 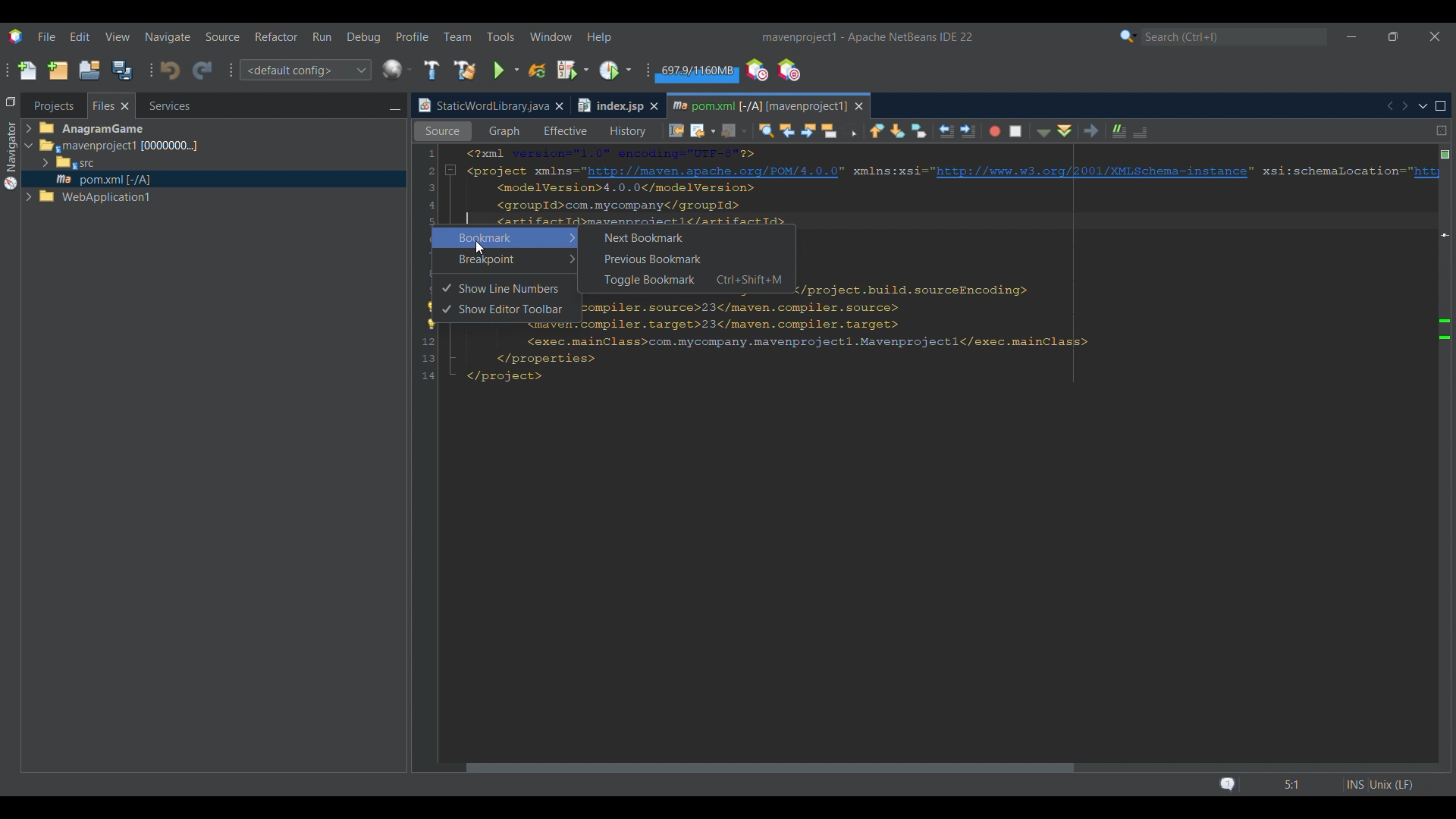 What do you see at coordinates (762, 130) in the screenshot?
I see `Find selection` at bounding box center [762, 130].